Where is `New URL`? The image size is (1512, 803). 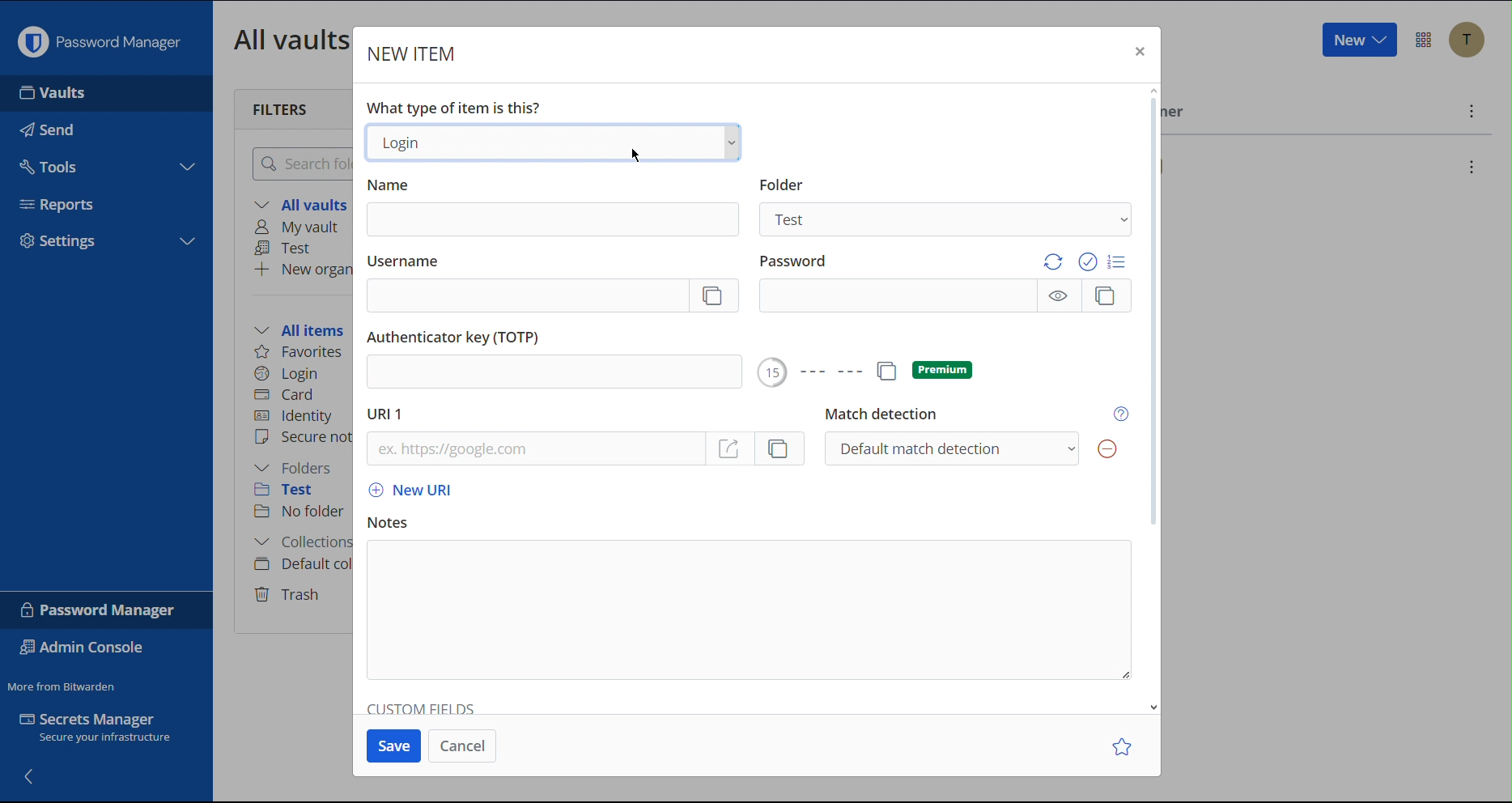
New URL is located at coordinates (407, 491).